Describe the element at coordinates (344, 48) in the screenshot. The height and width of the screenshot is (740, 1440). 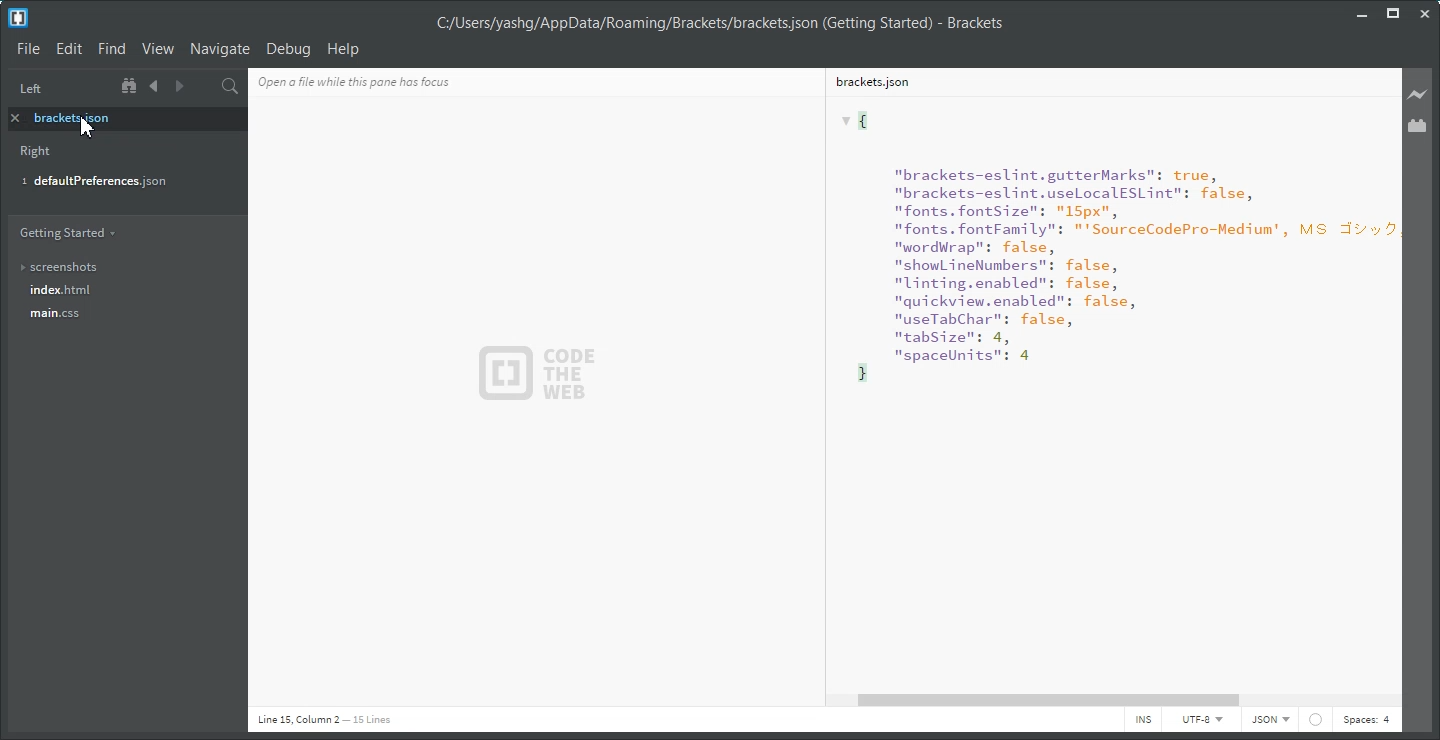
I see `Help` at that location.